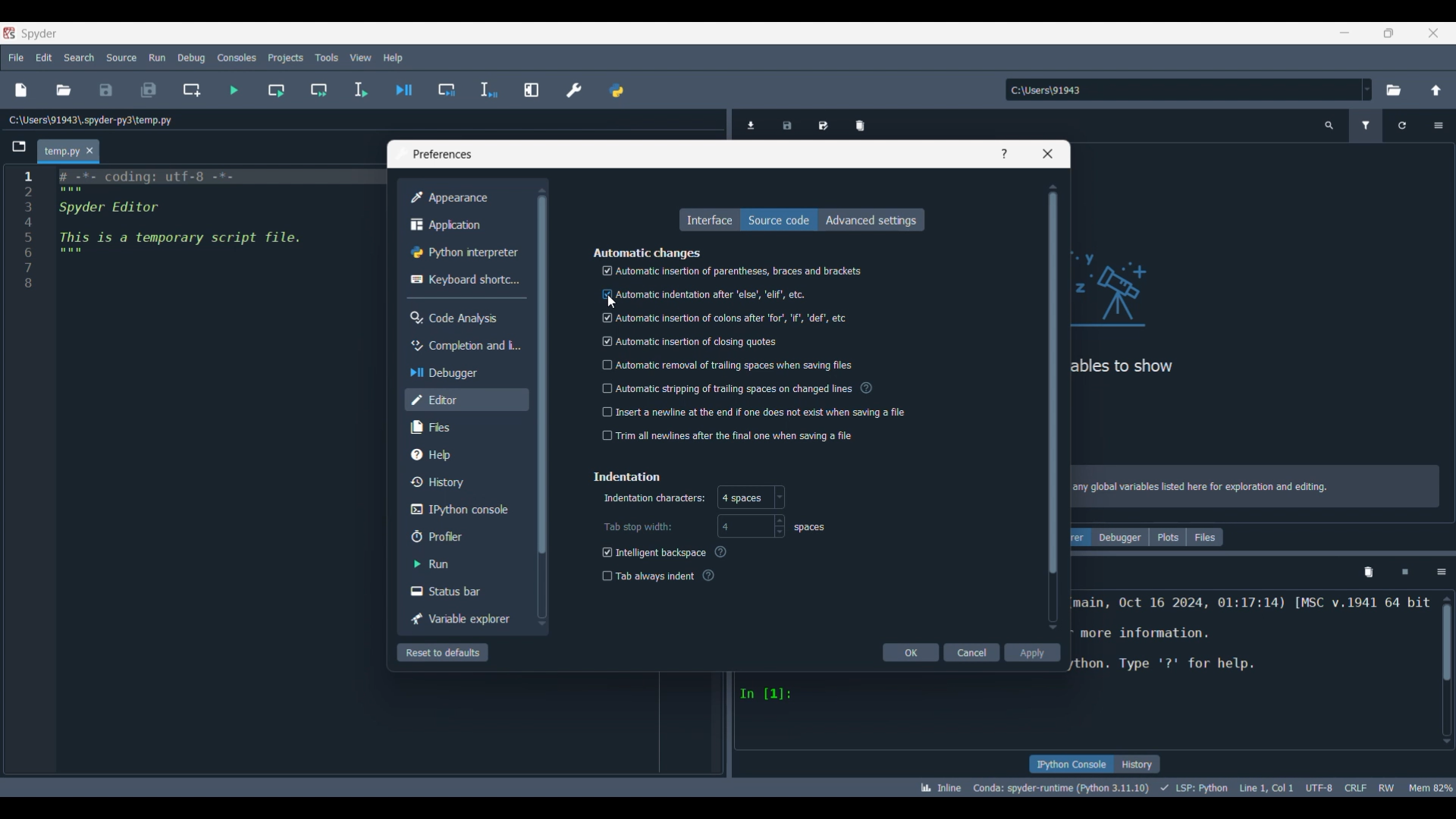  I want to click on Debug file, so click(404, 89).